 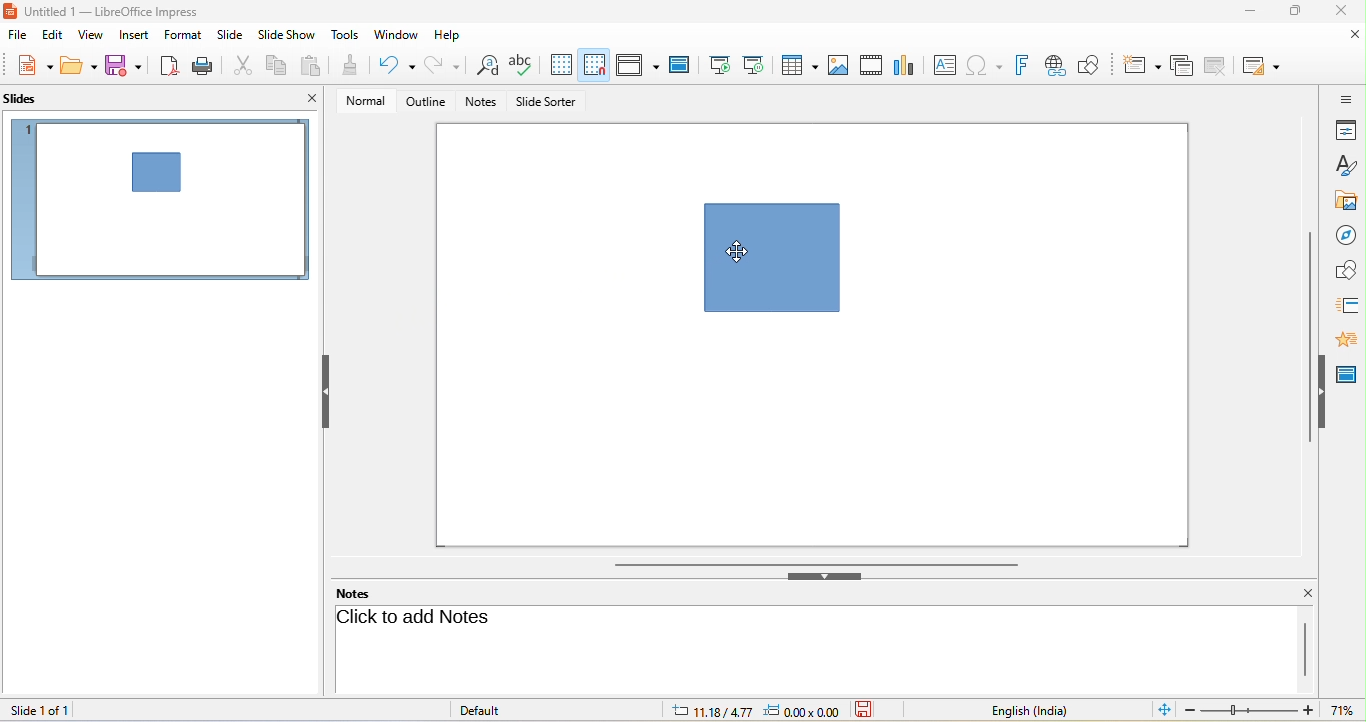 What do you see at coordinates (313, 67) in the screenshot?
I see `paste` at bounding box center [313, 67].